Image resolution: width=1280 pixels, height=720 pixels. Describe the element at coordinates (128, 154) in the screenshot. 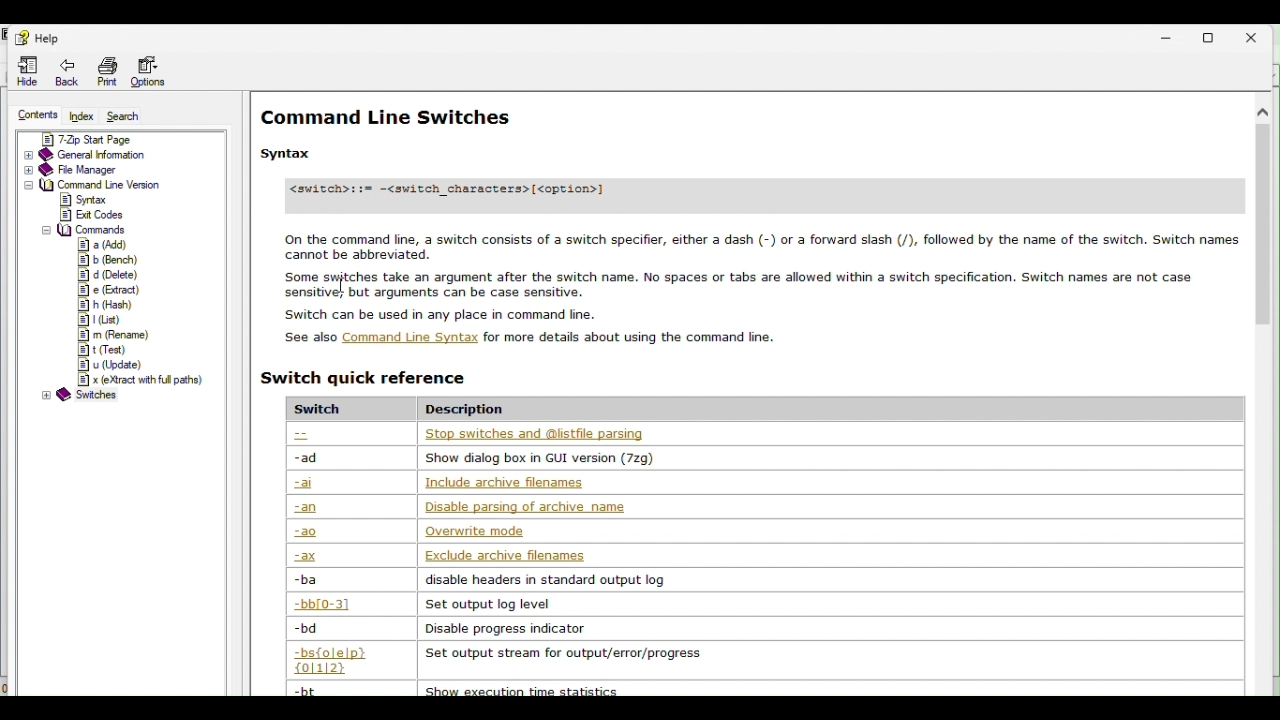

I see `General information` at that location.